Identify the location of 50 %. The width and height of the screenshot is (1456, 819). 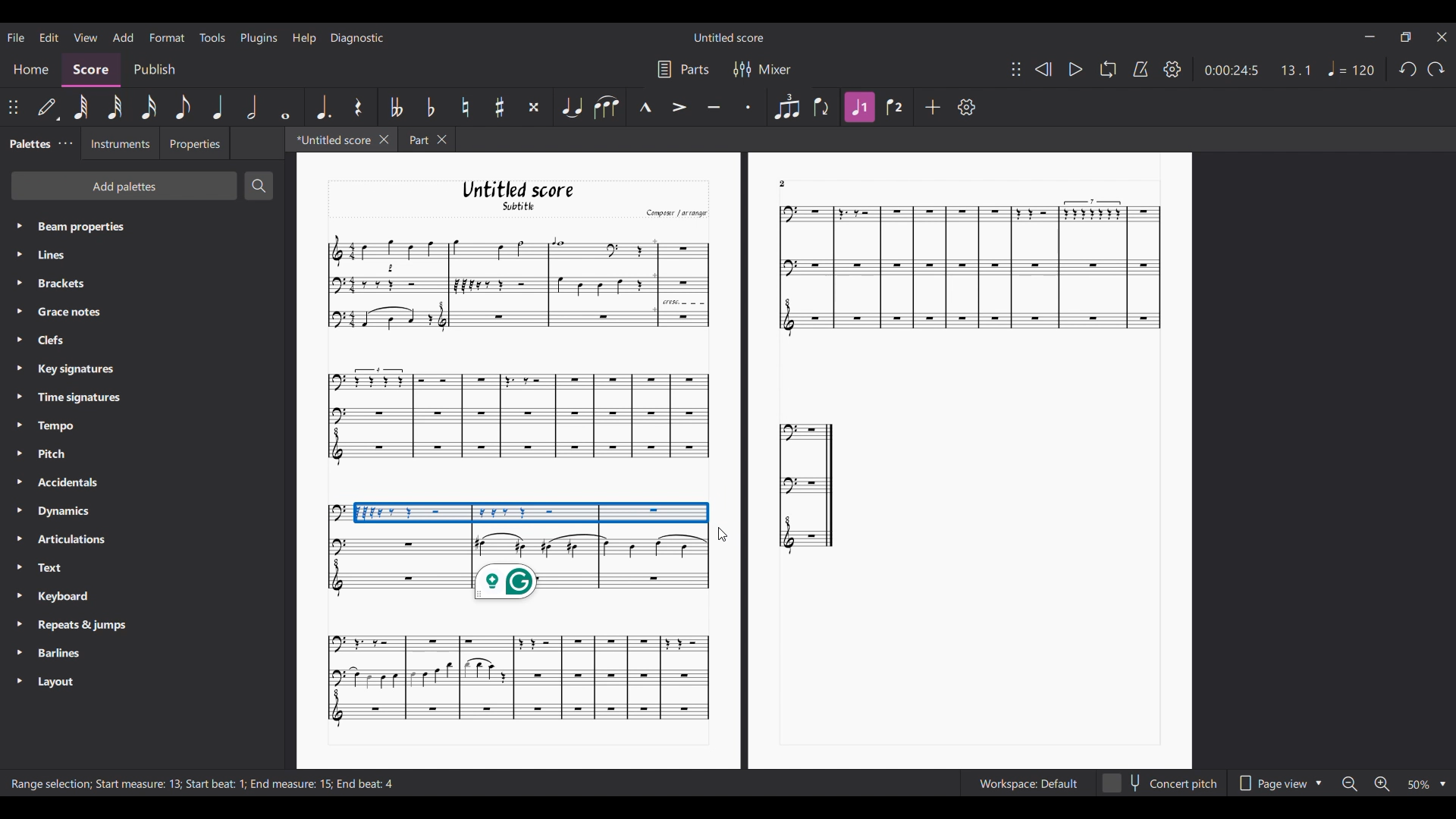
(1426, 784).